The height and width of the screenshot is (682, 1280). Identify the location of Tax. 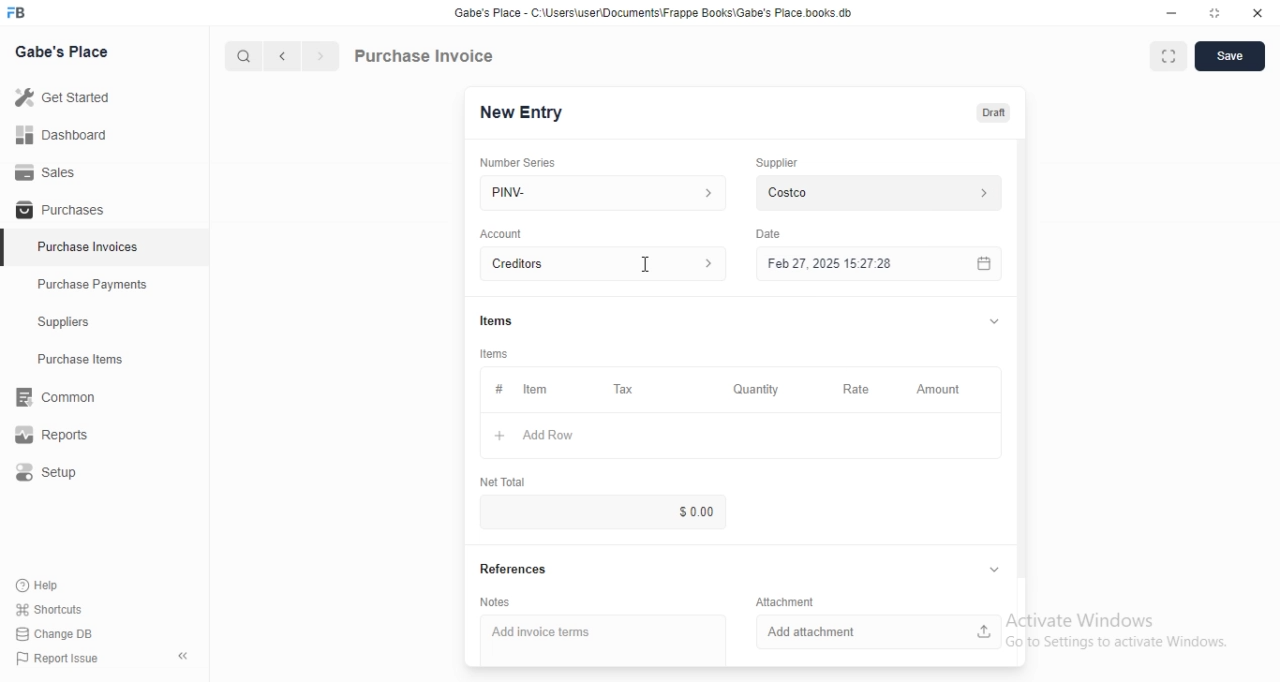
(626, 389).